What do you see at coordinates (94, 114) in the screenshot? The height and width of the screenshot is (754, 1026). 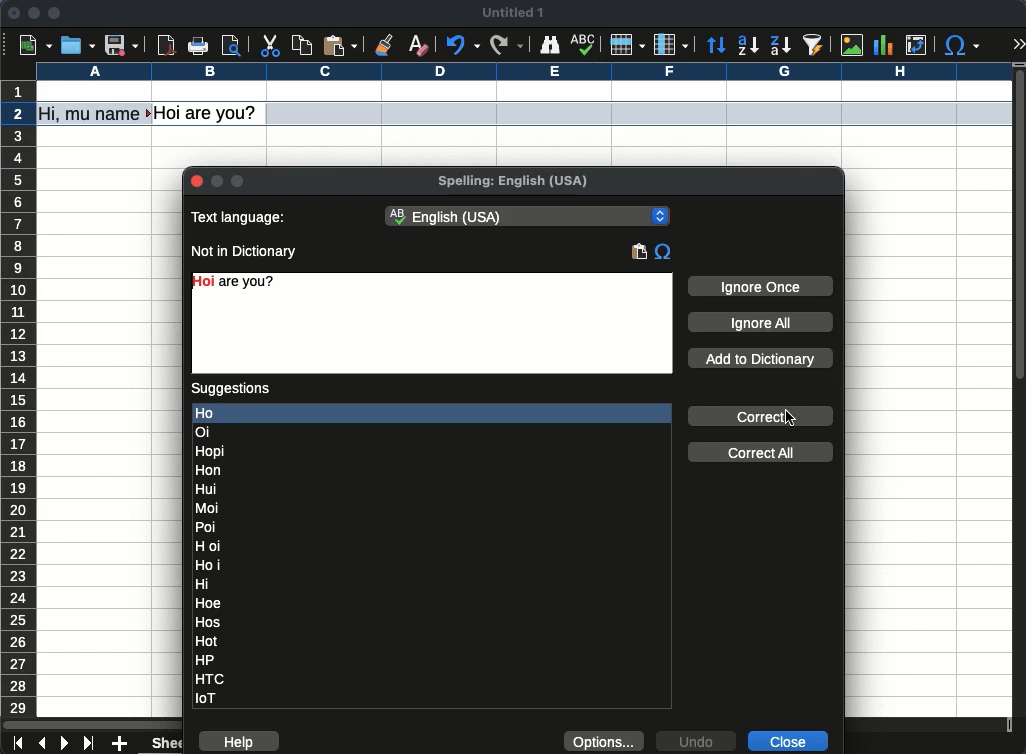 I see `Hi, my name` at bounding box center [94, 114].